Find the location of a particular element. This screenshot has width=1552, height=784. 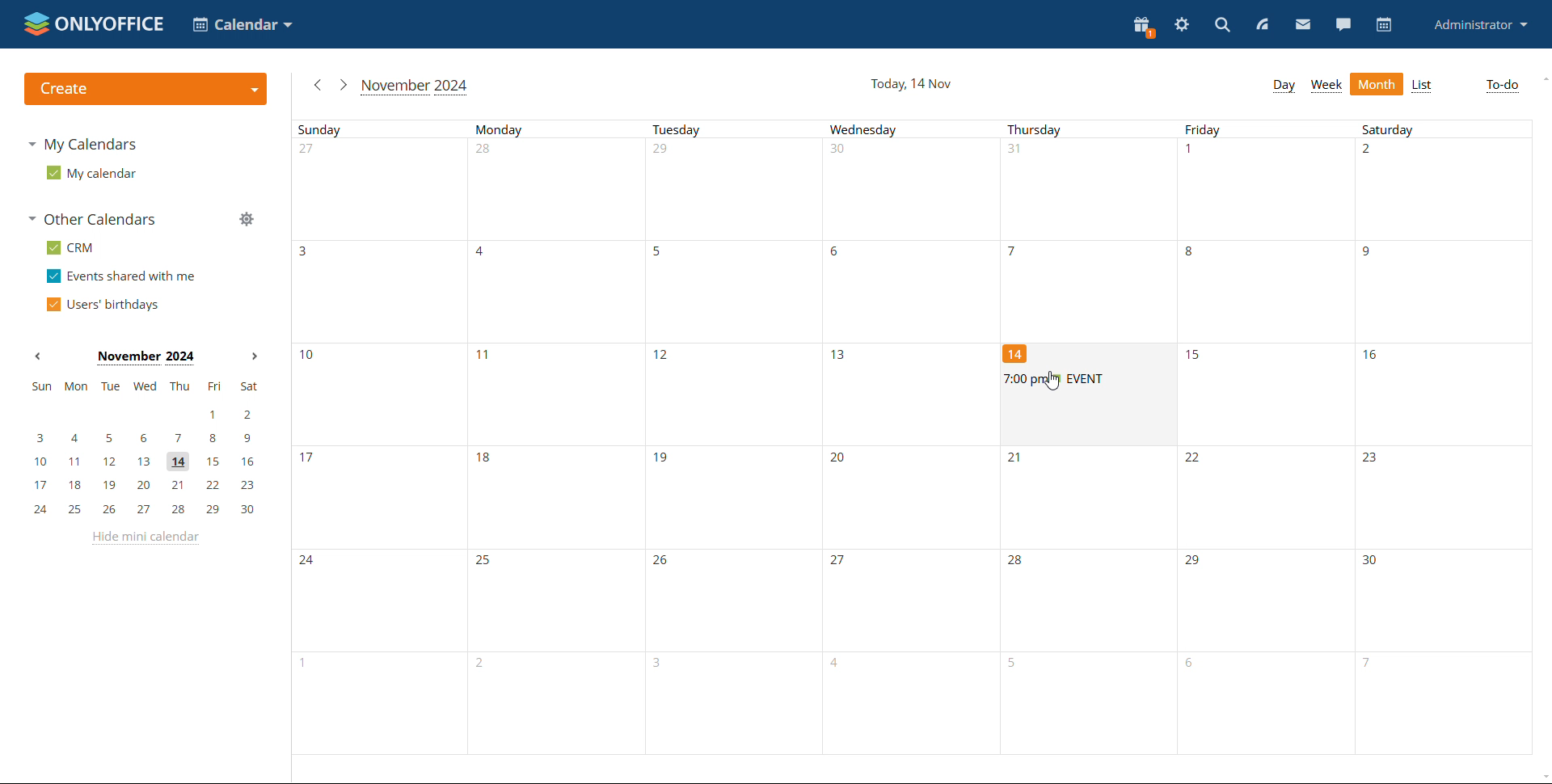

number is located at coordinates (1364, 665).